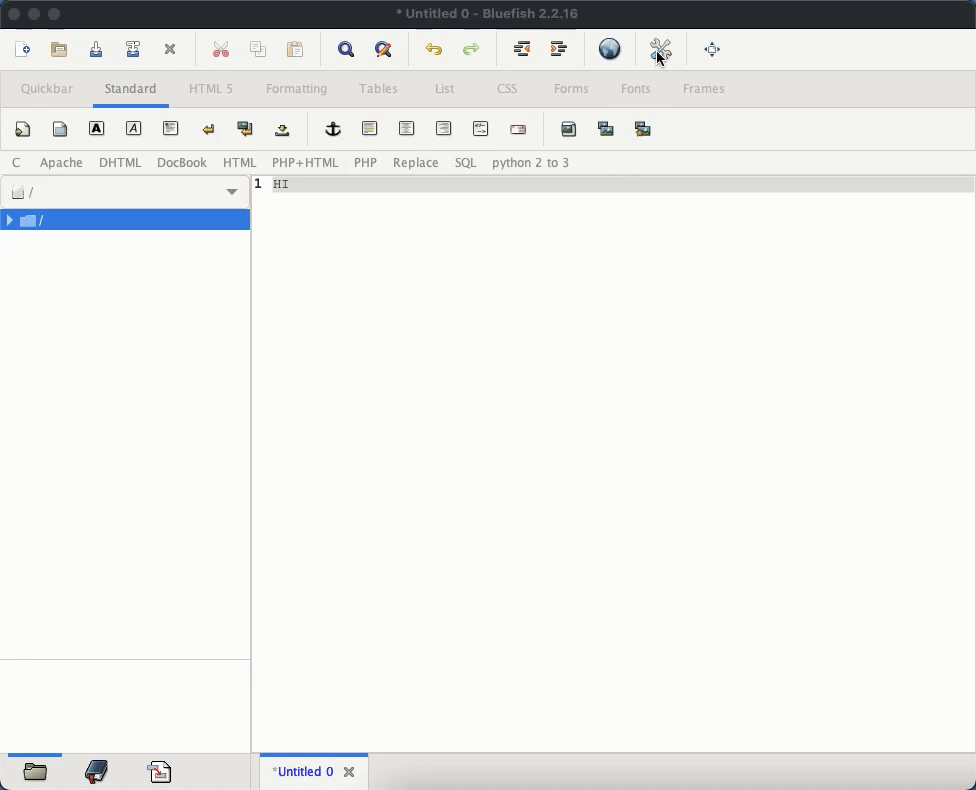 Image resolution: width=976 pixels, height=790 pixels. What do you see at coordinates (704, 90) in the screenshot?
I see `frames` at bounding box center [704, 90].